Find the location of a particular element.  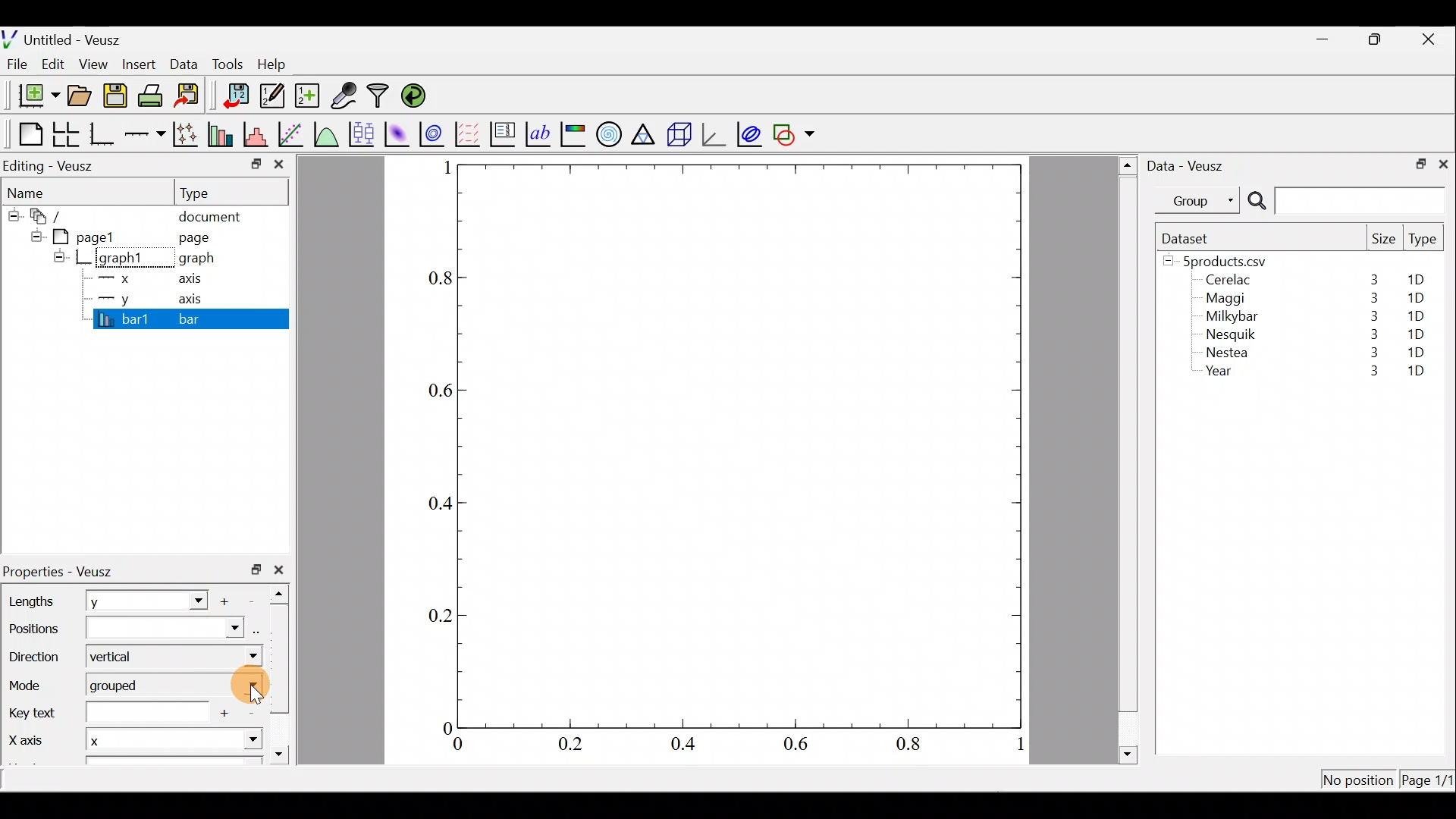

graph plot area is located at coordinates (741, 444).